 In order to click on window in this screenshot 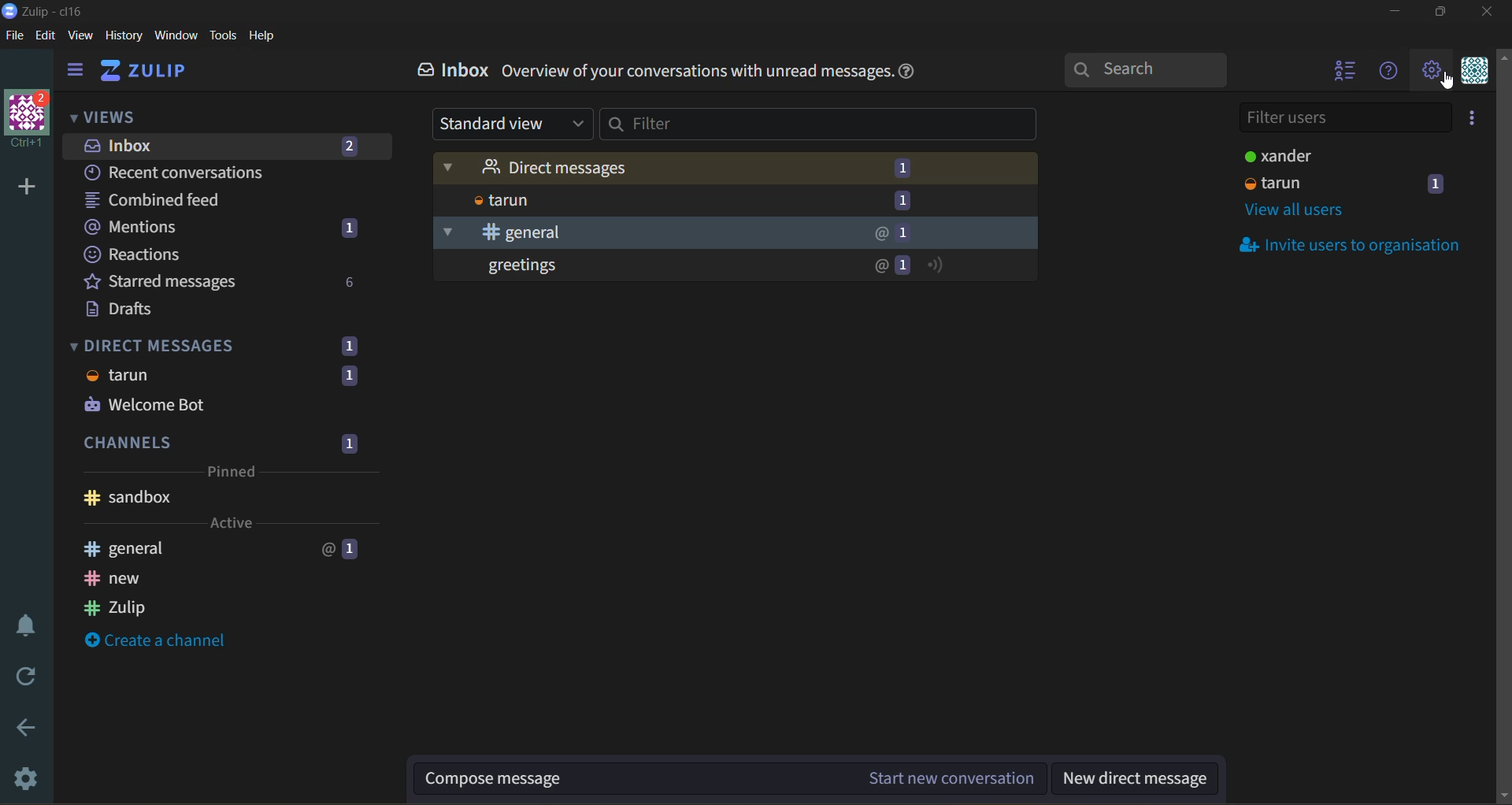, I will do `click(177, 36)`.